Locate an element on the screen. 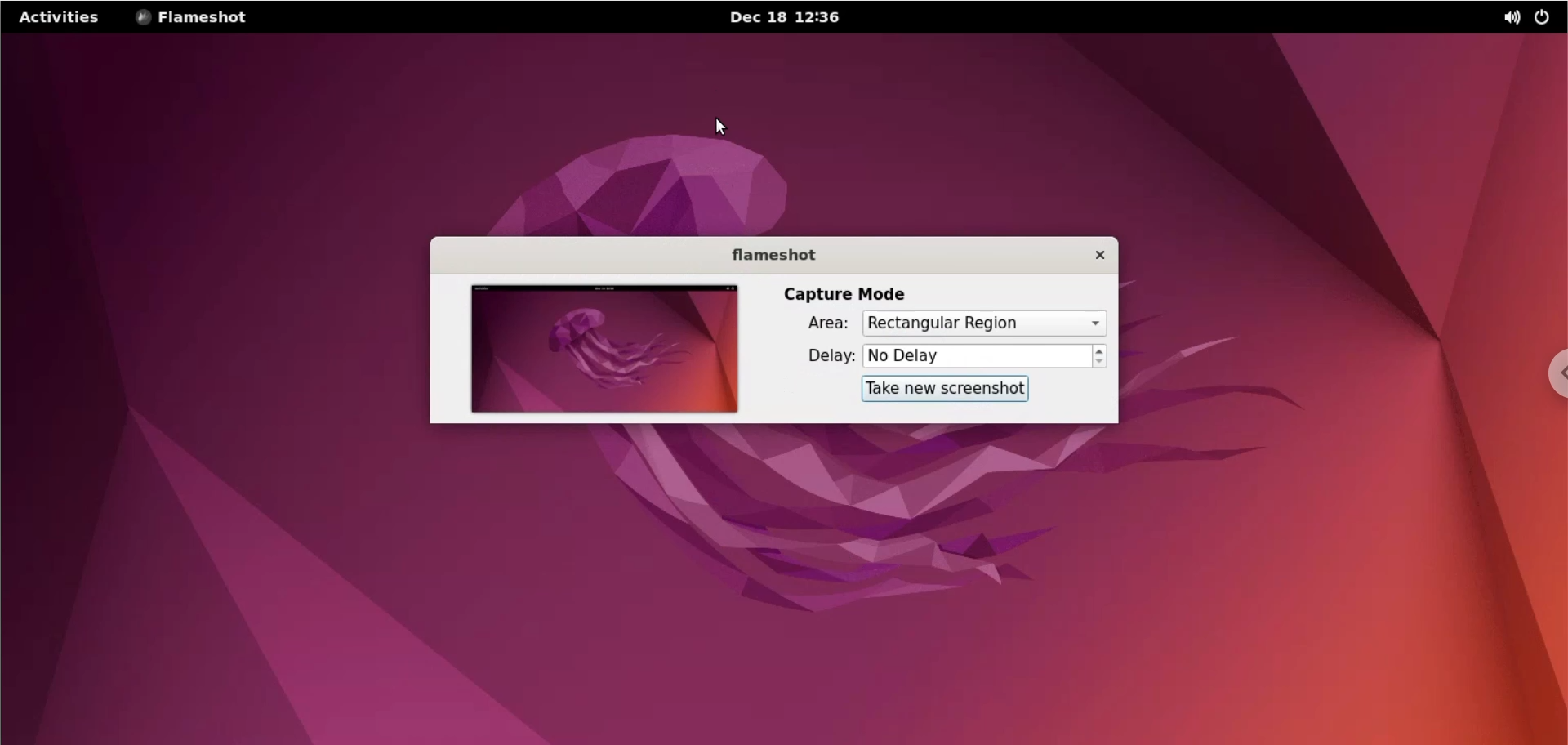 Image resolution: width=1568 pixels, height=745 pixels. increment or decrement delay is located at coordinates (1099, 357).